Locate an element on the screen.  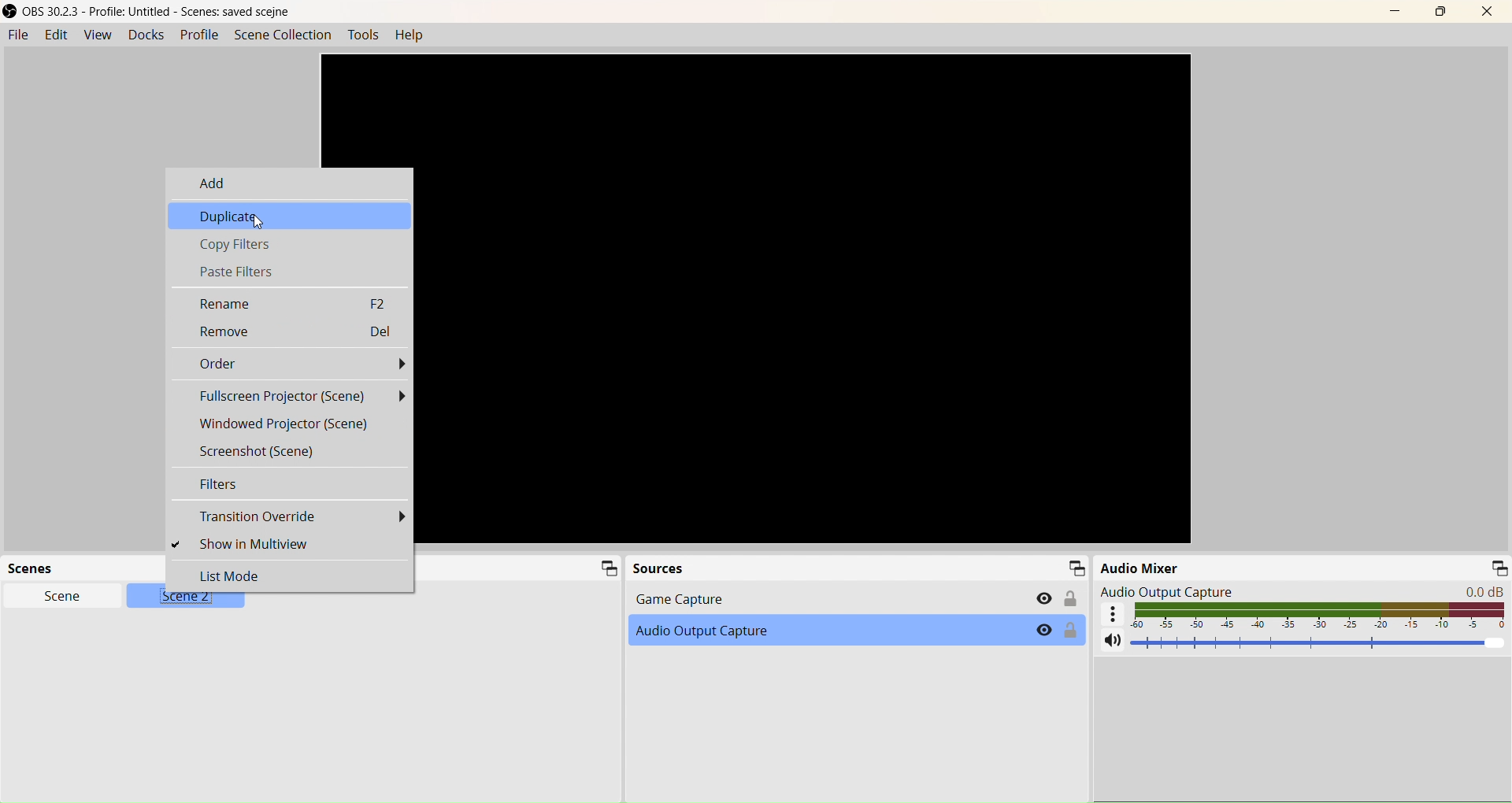
Lock is located at coordinates (1070, 598).